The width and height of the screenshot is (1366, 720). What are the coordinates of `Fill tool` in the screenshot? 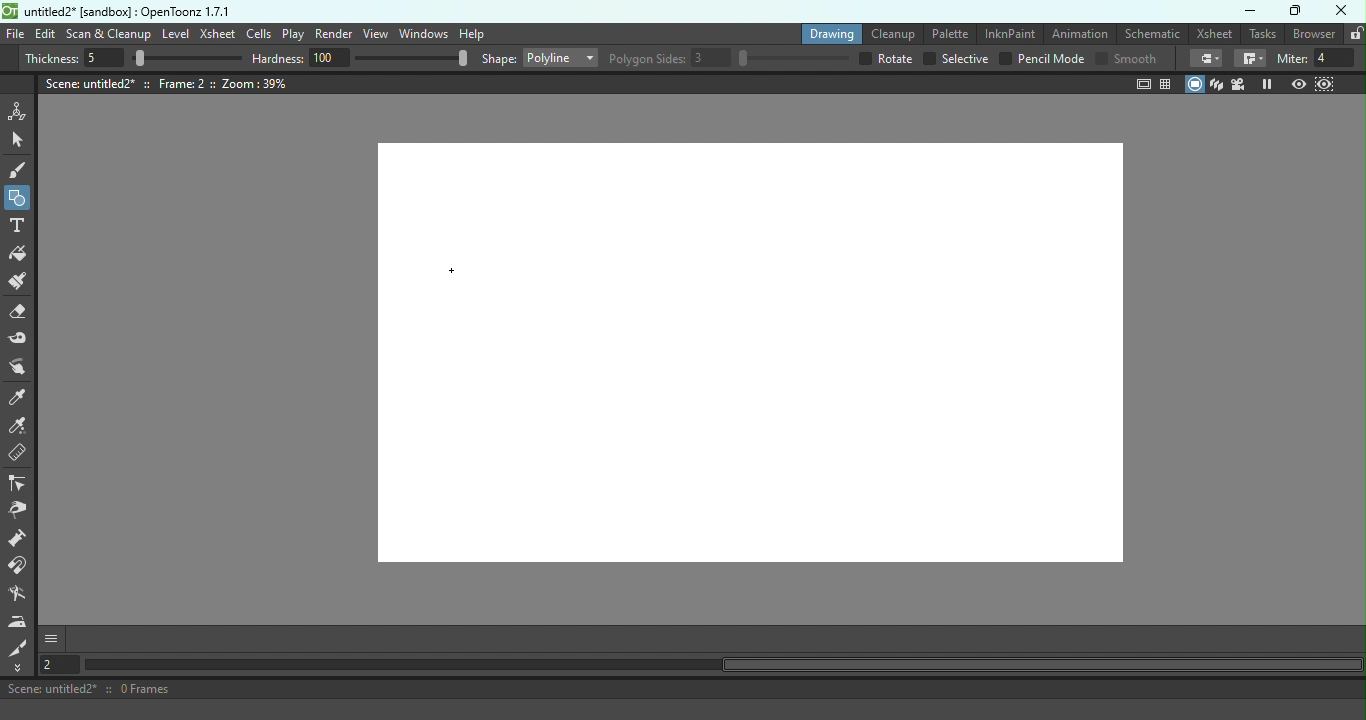 It's located at (22, 254).